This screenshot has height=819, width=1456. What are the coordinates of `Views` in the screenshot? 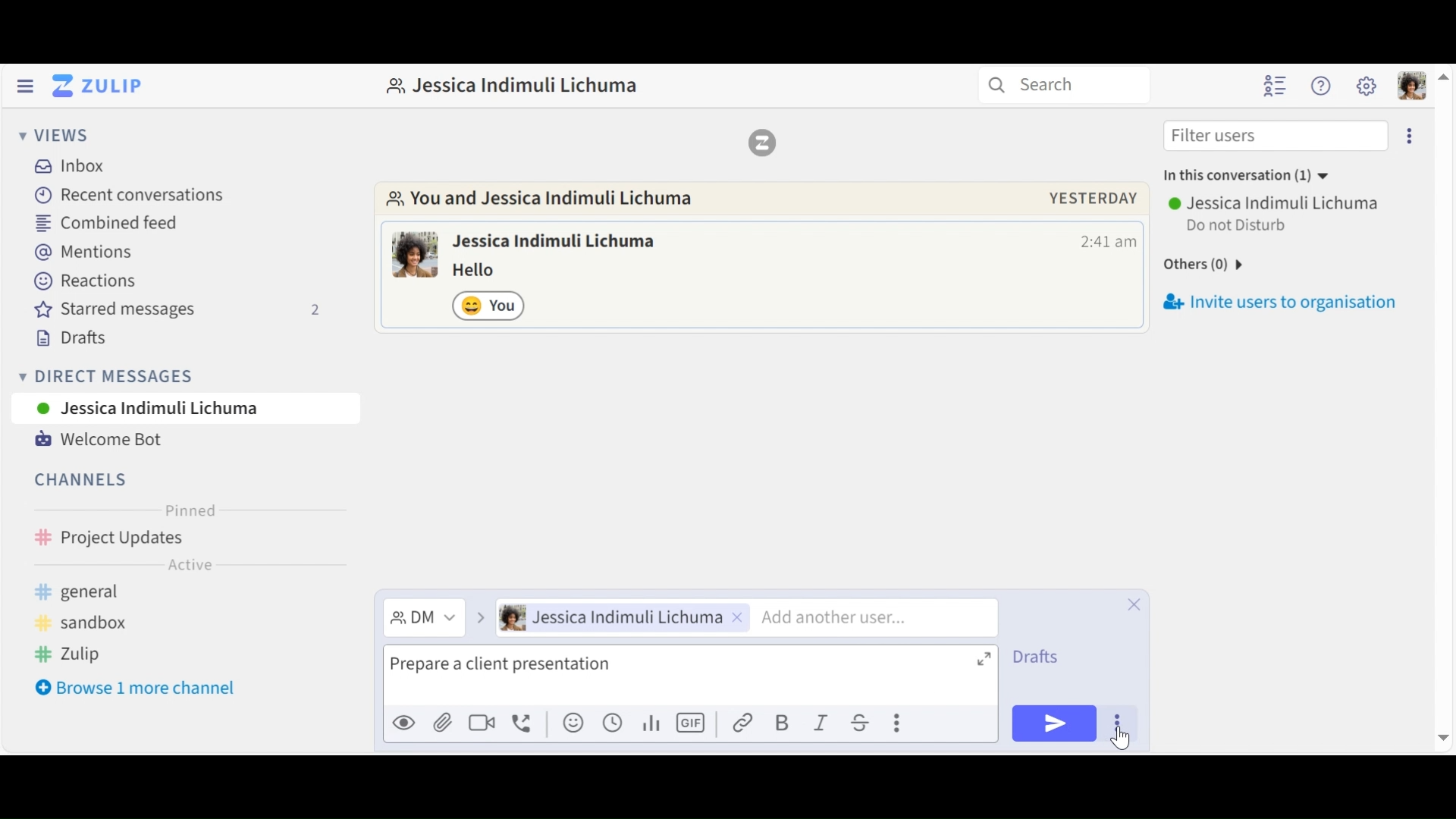 It's located at (54, 136).